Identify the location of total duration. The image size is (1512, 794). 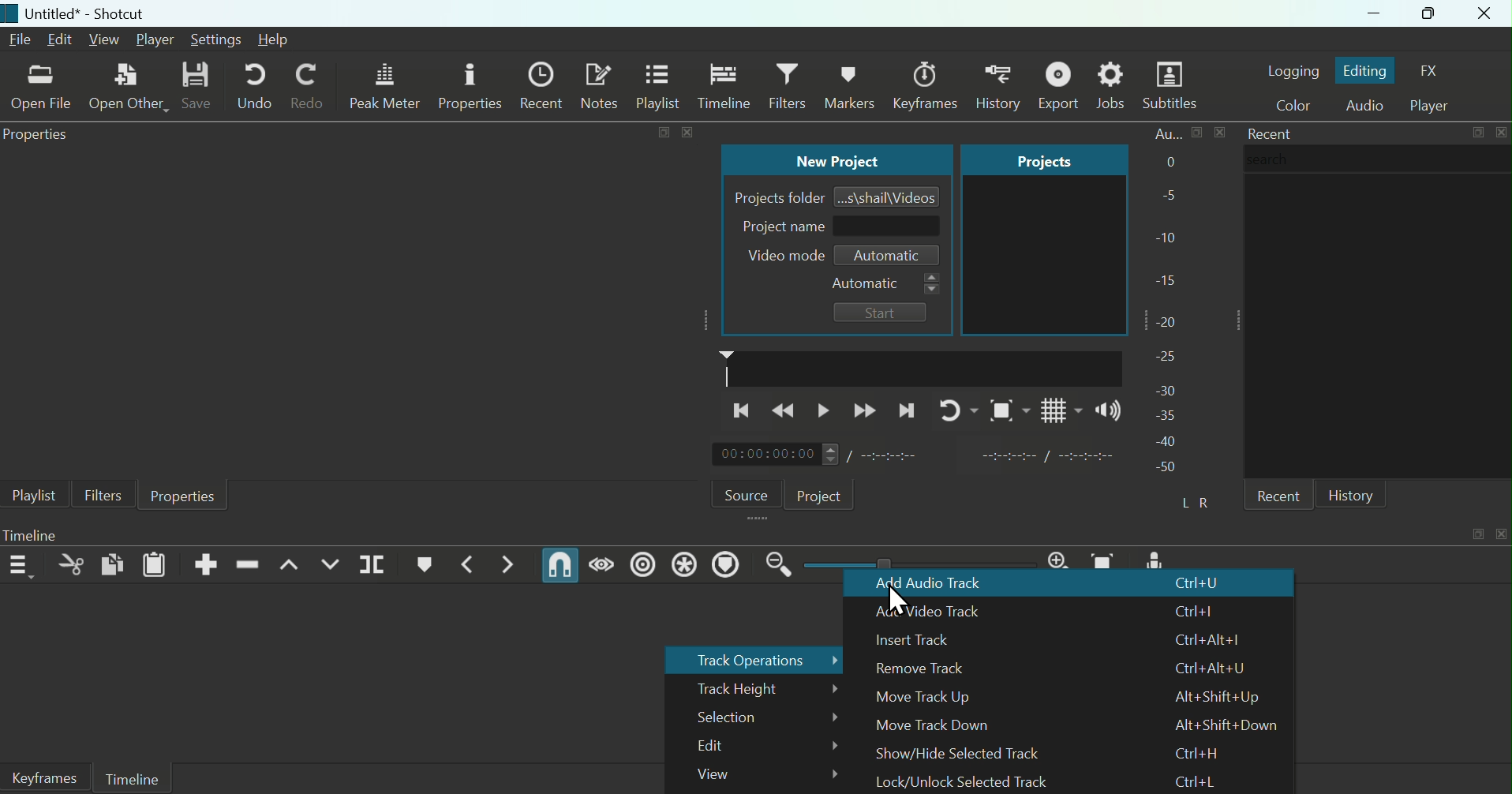
(897, 455).